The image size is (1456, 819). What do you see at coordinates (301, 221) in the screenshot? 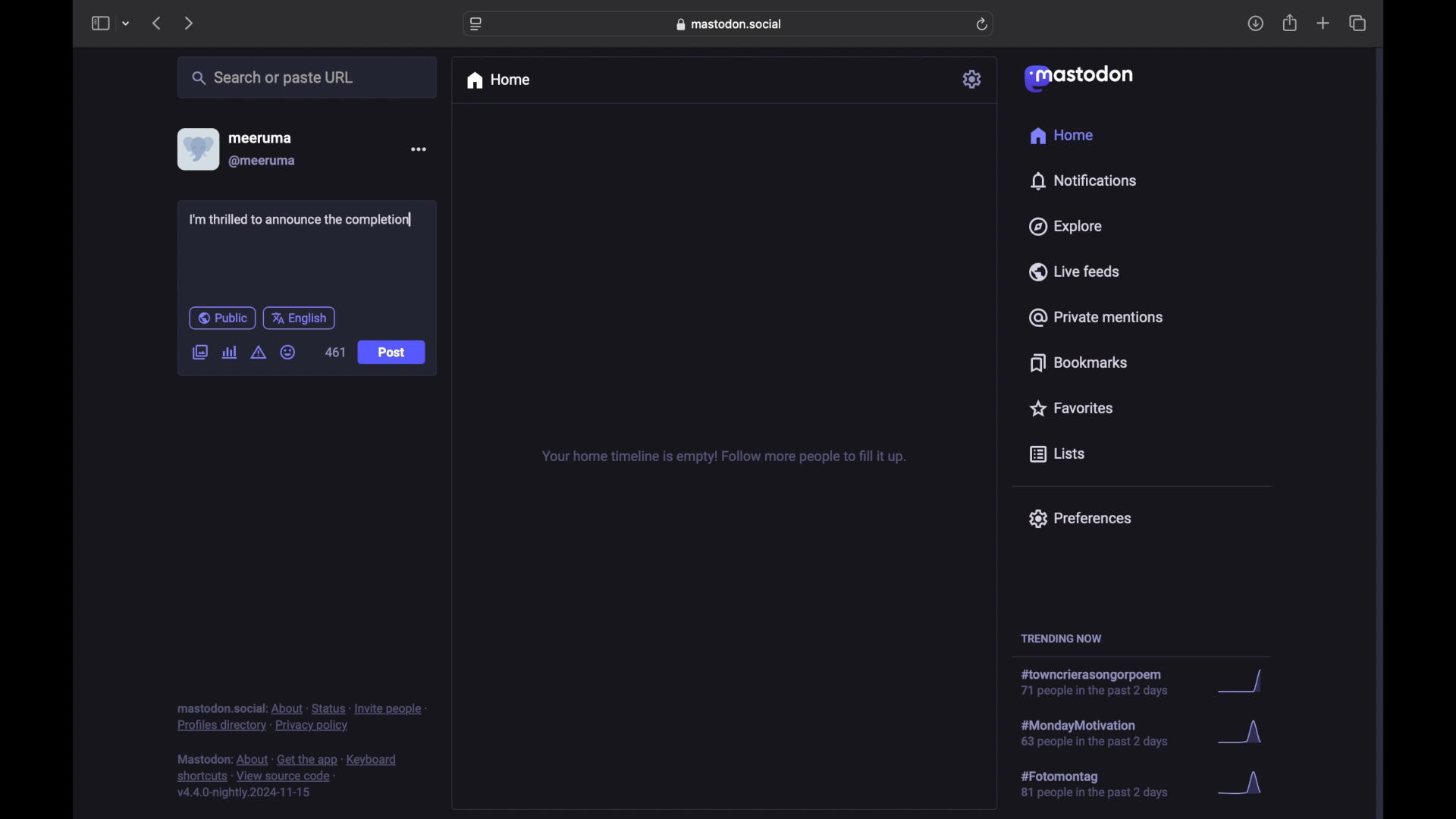
I see `I'm thrilled to announce the completion` at bounding box center [301, 221].